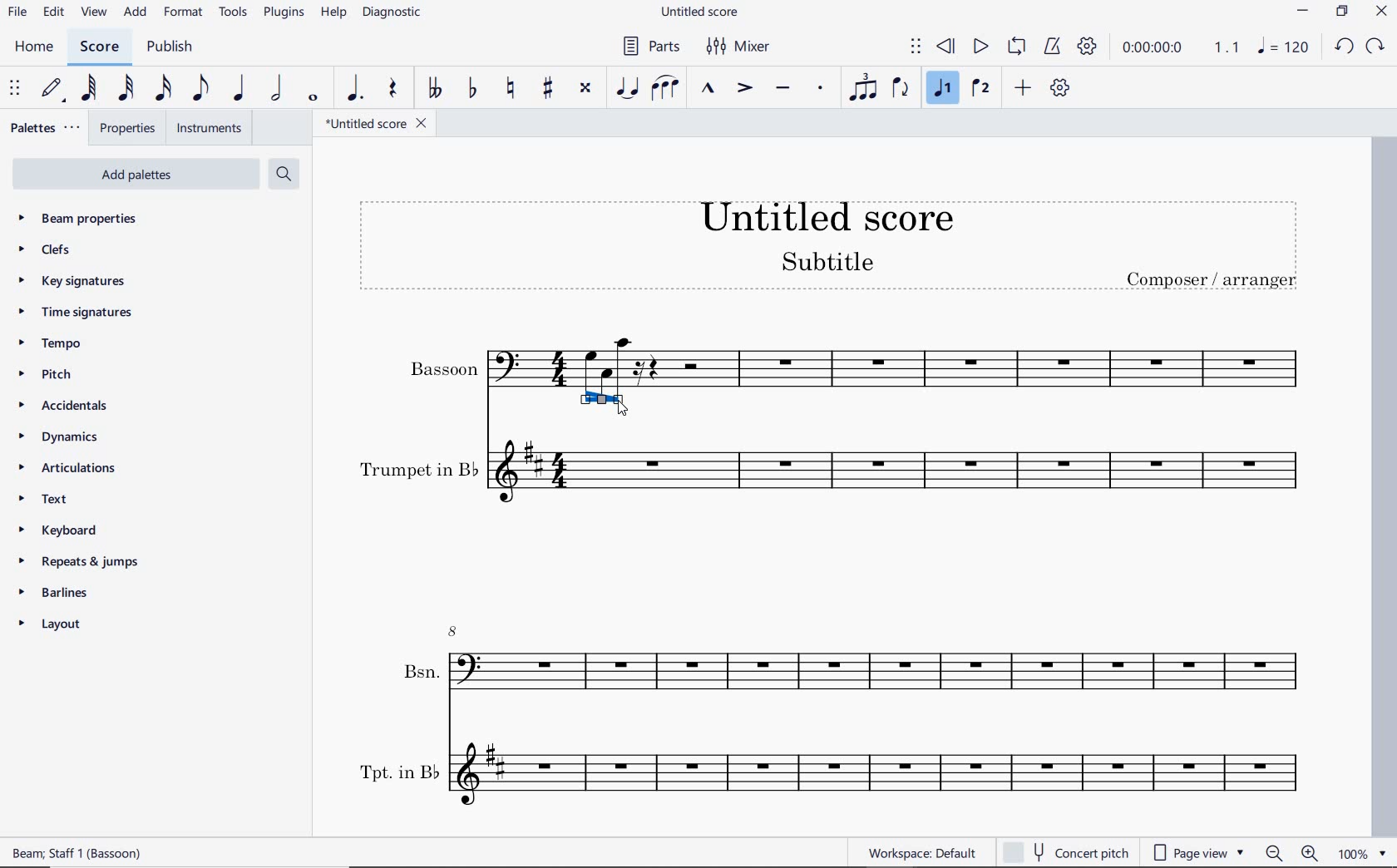 This screenshot has height=868, width=1397. Describe the element at coordinates (1054, 47) in the screenshot. I see `metronome` at that location.